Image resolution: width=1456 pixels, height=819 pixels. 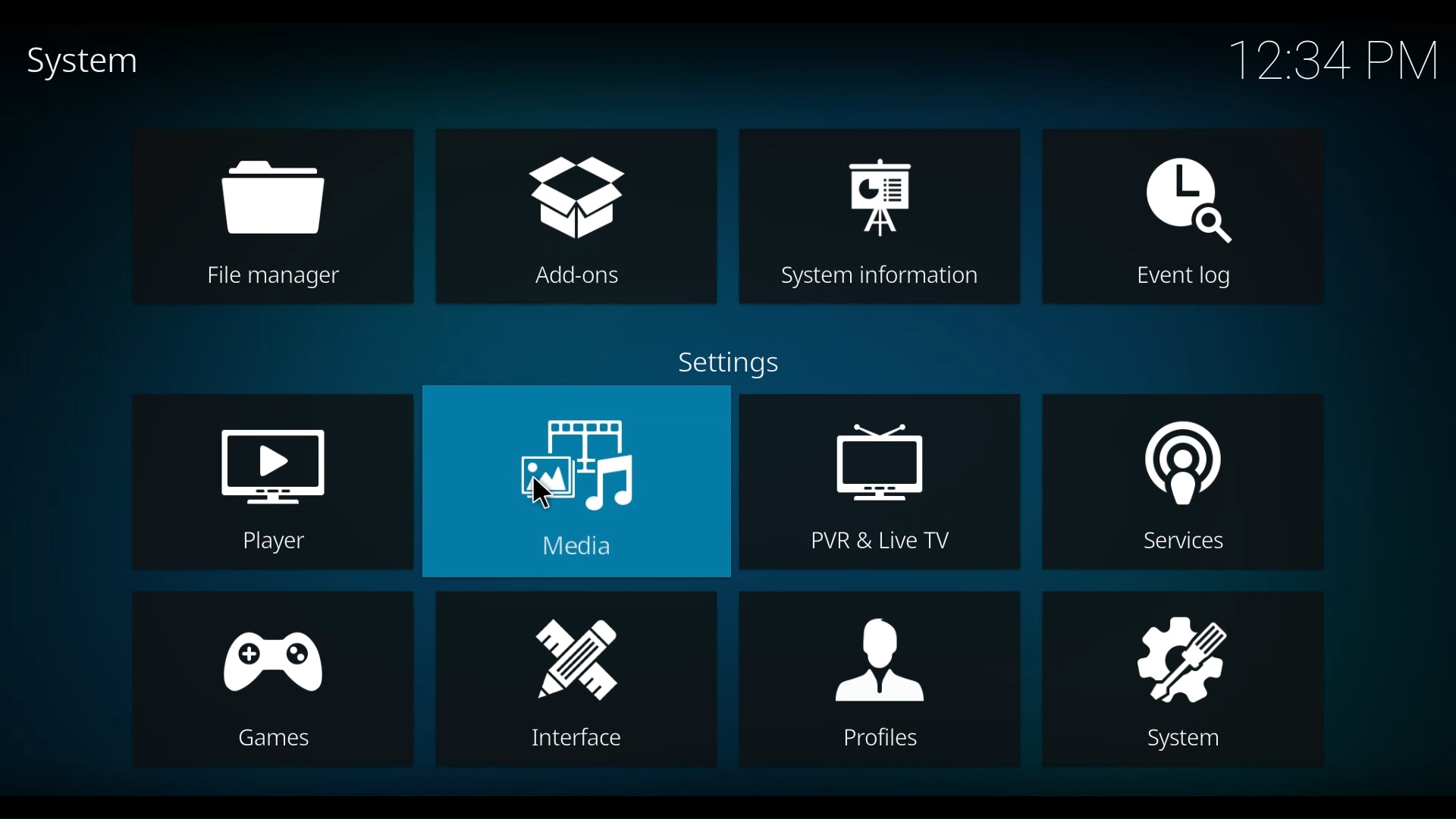 What do you see at coordinates (275, 679) in the screenshot?
I see `Games` at bounding box center [275, 679].